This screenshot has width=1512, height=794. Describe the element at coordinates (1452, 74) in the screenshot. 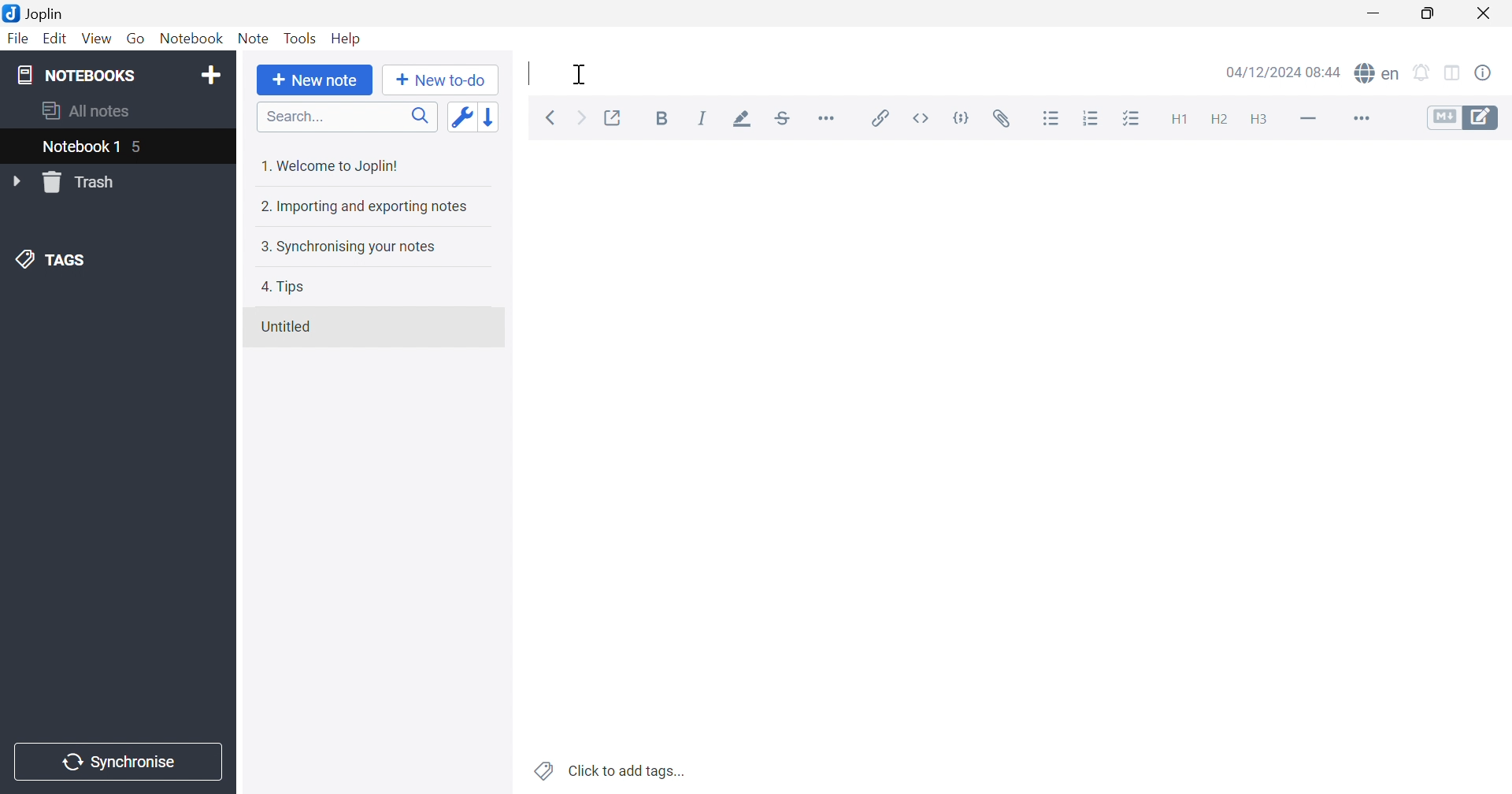

I see `Toggle editors layout` at that location.